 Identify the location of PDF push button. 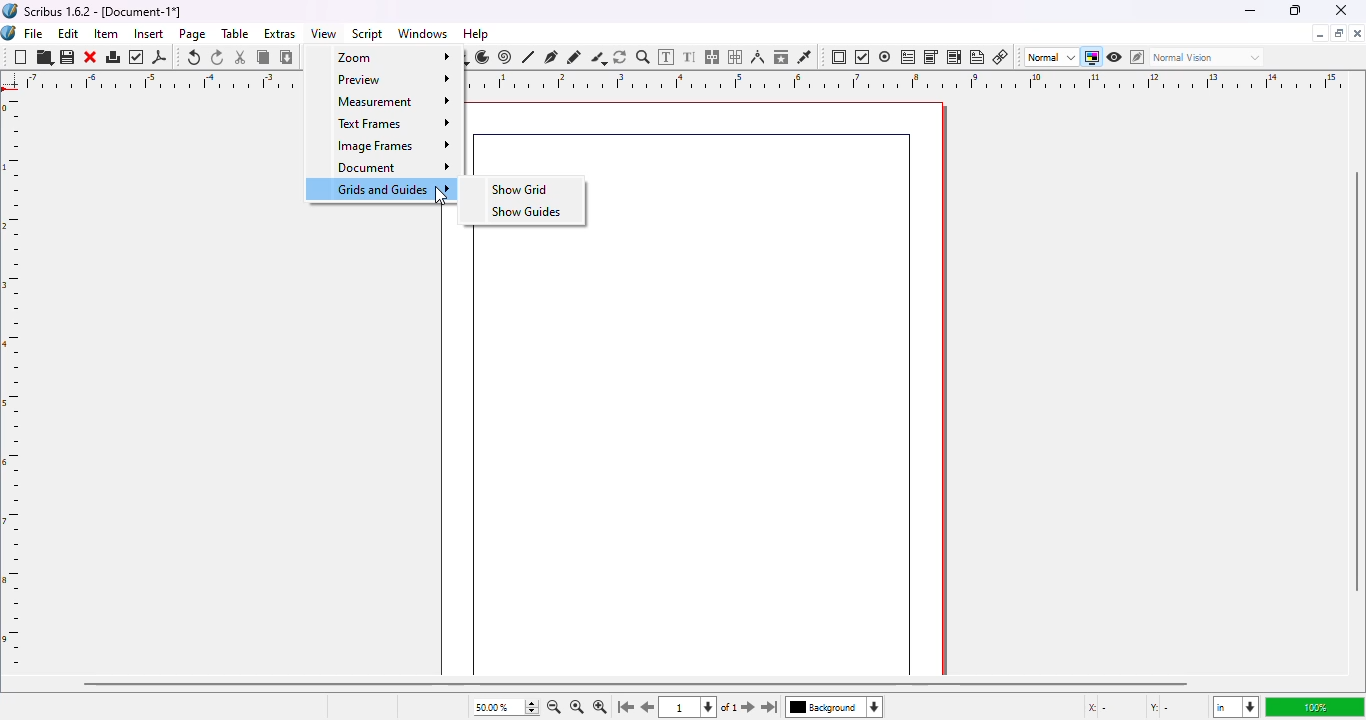
(839, 57).